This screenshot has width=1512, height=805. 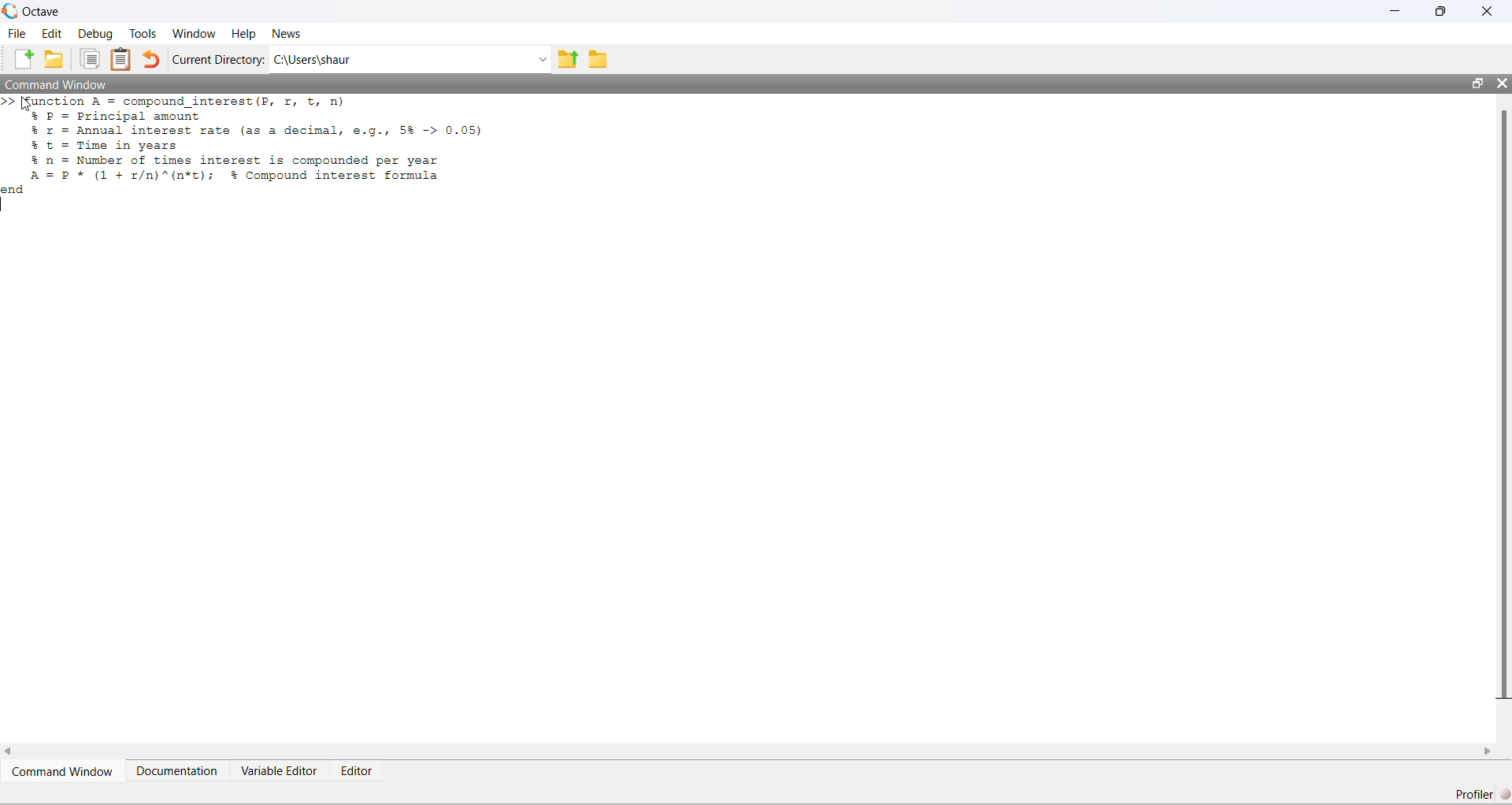 What do you see at coordinates (358, 771) in the screenshot?
I see `Editor` at bounding box center [358, 771].